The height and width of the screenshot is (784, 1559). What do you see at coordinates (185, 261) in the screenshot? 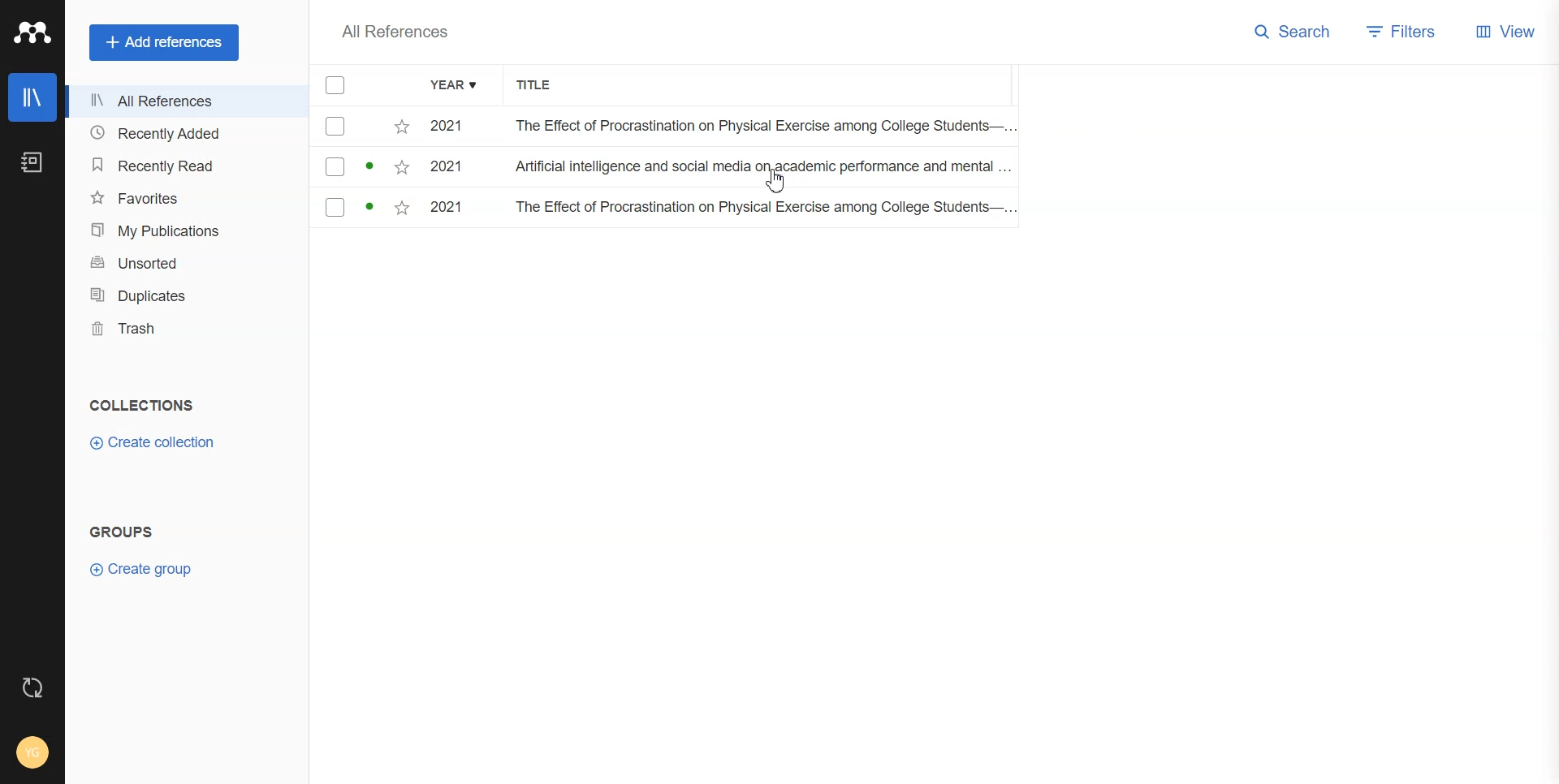
I see `Unsorted` at bounding box center [185, 261].